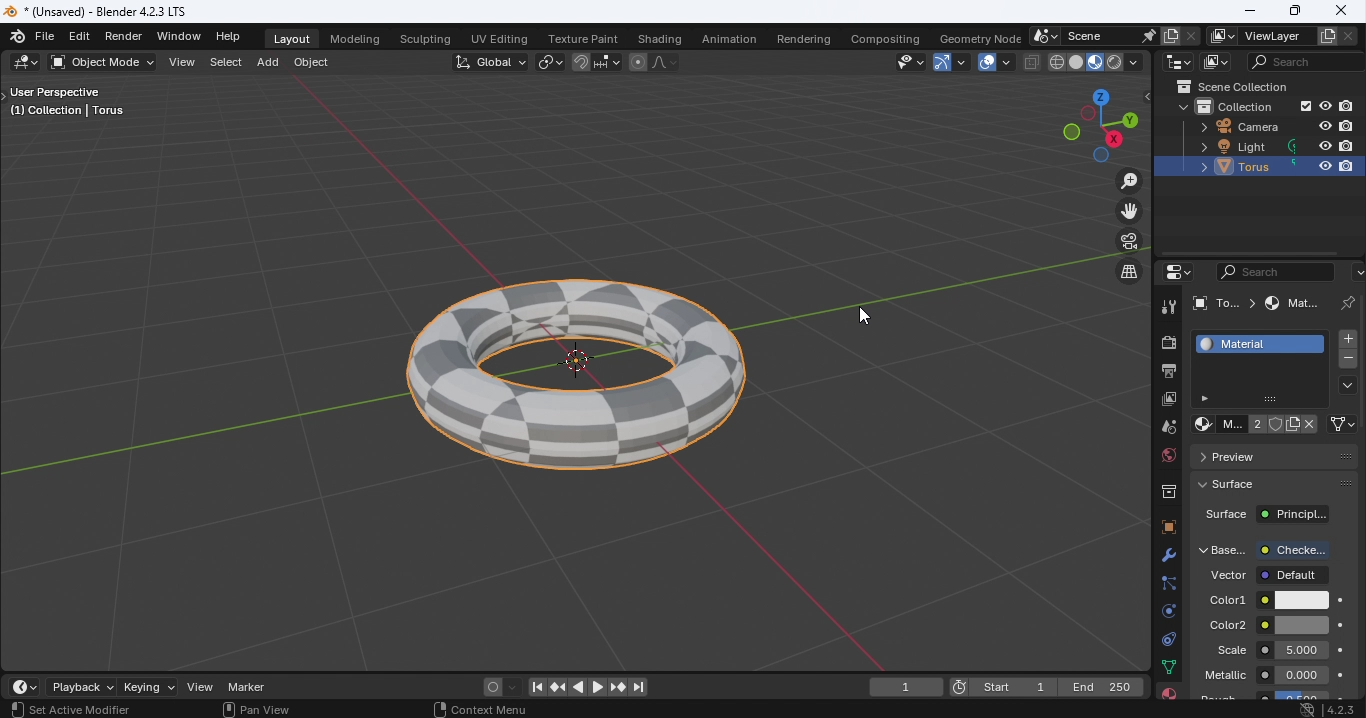 The width and height of the screenshot is (1366, 718). I want to click on Selectability and Visibilty, so click(882, 63).